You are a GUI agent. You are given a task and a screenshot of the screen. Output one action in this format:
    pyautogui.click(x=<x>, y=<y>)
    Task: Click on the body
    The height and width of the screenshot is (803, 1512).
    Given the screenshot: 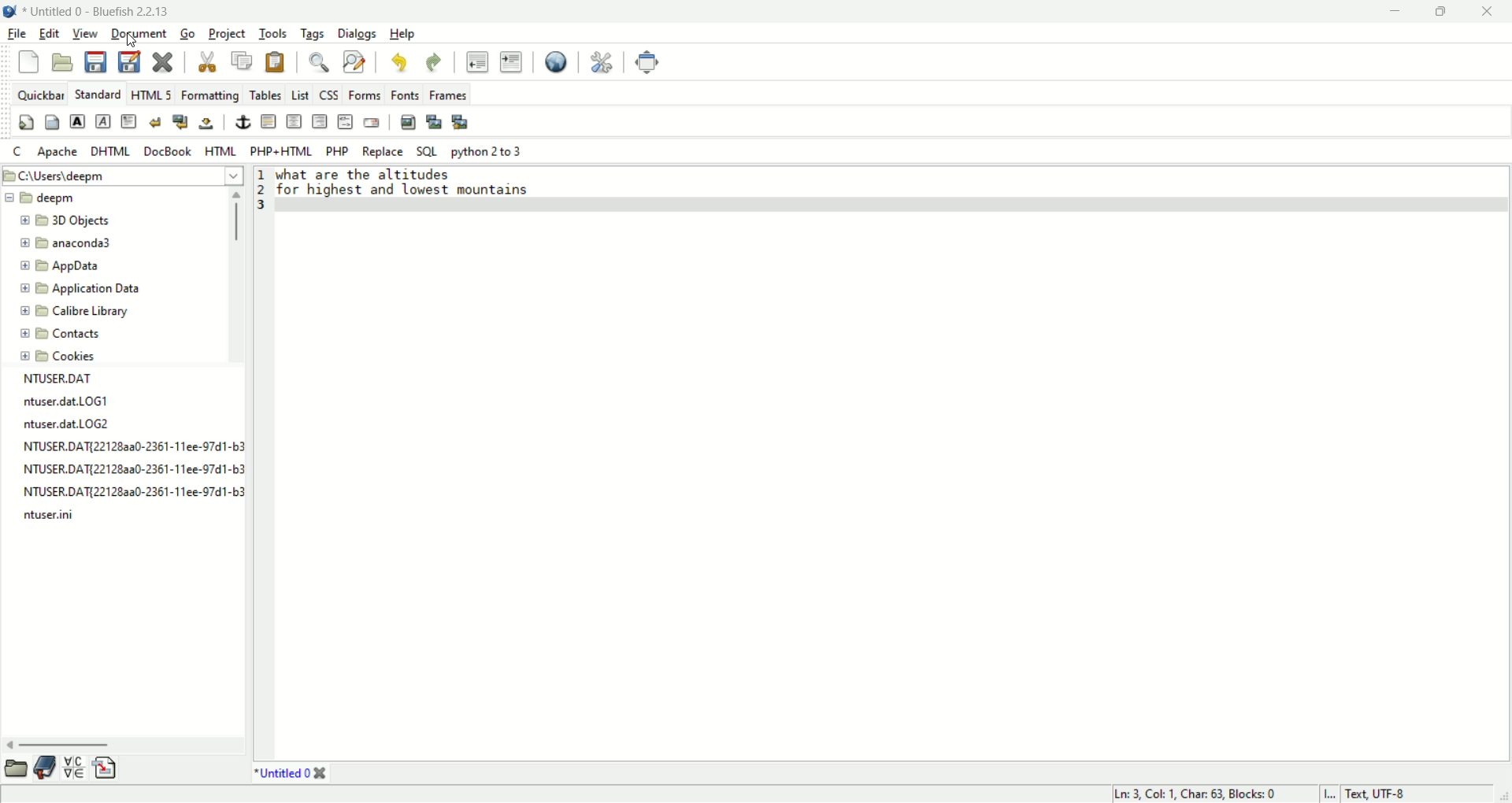 What is the action you would take?
    pyautogui.click(x=50, y=124)
    